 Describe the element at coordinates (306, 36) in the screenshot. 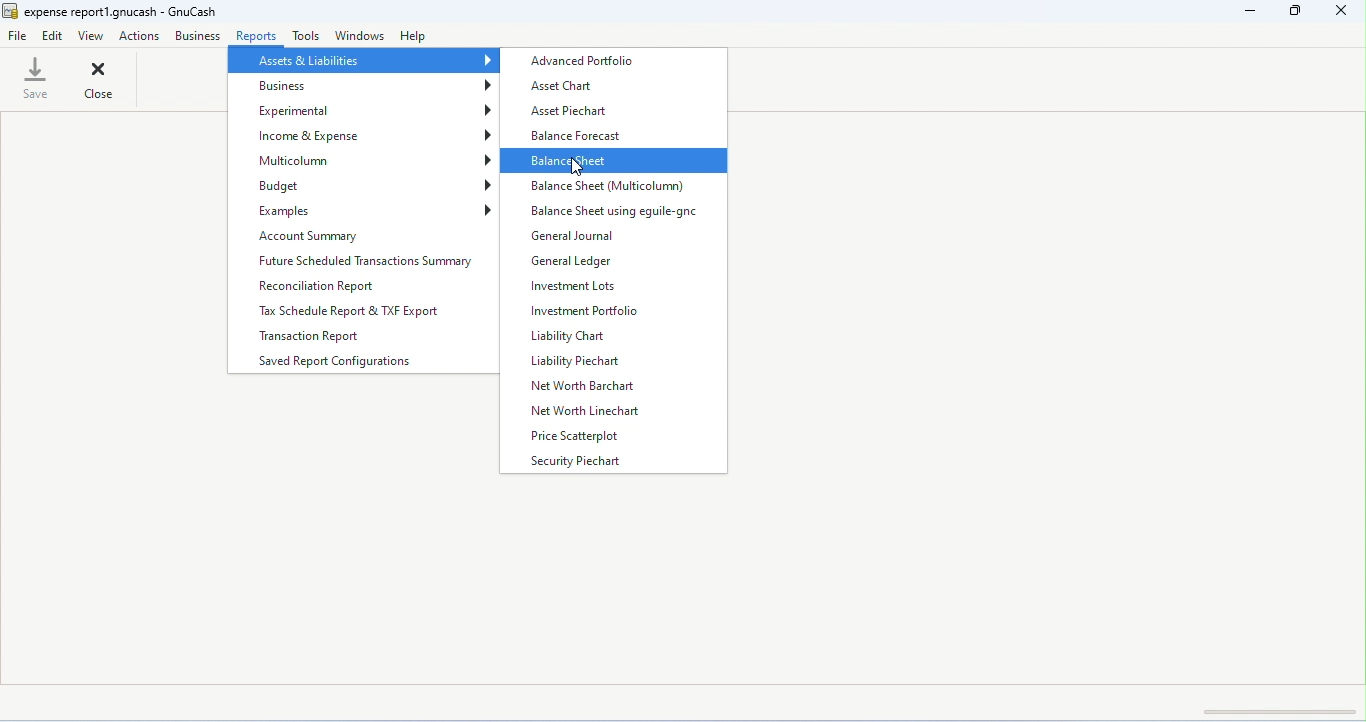

I see `tool` at that location.